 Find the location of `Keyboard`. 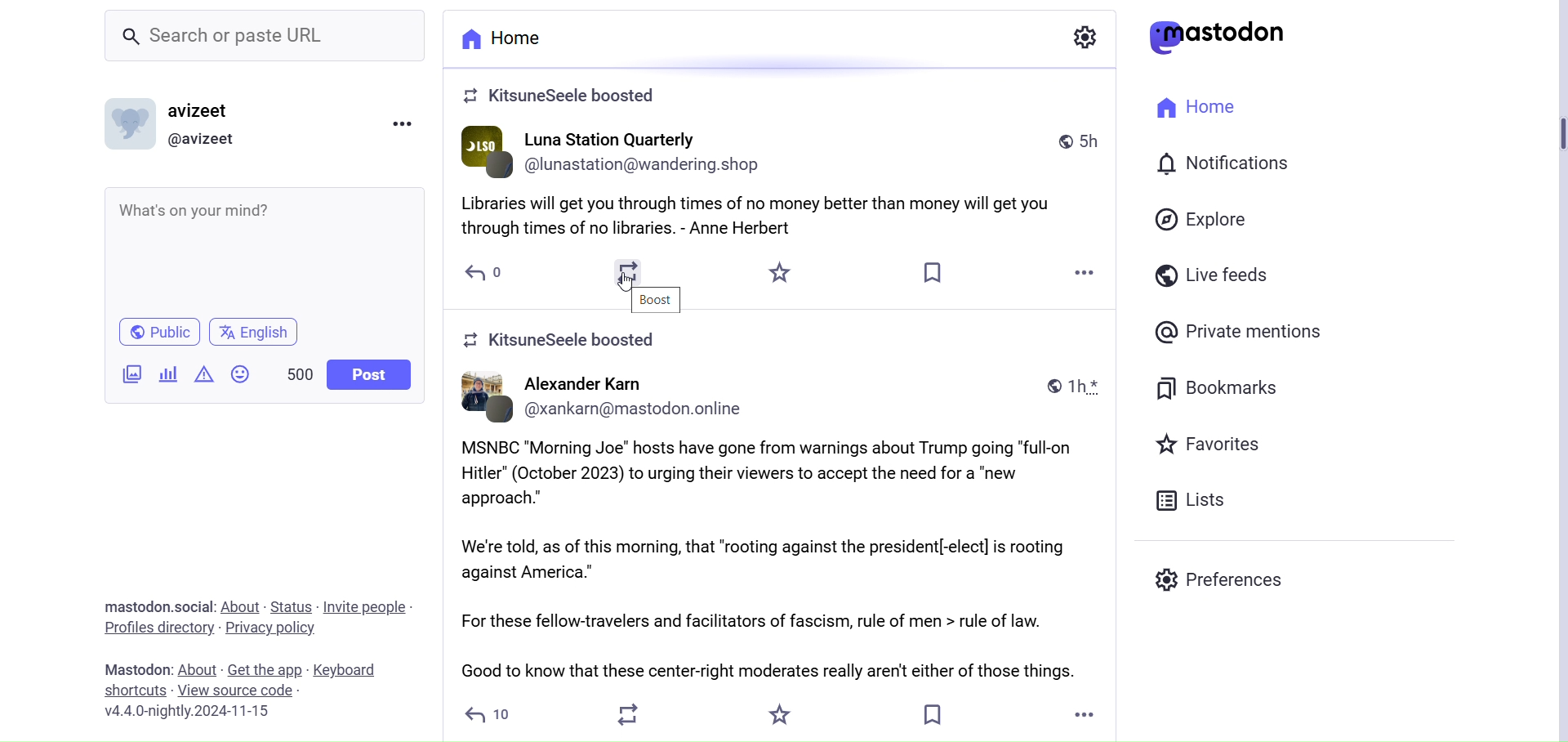

Keyboard is located at coordinates (345, 669).